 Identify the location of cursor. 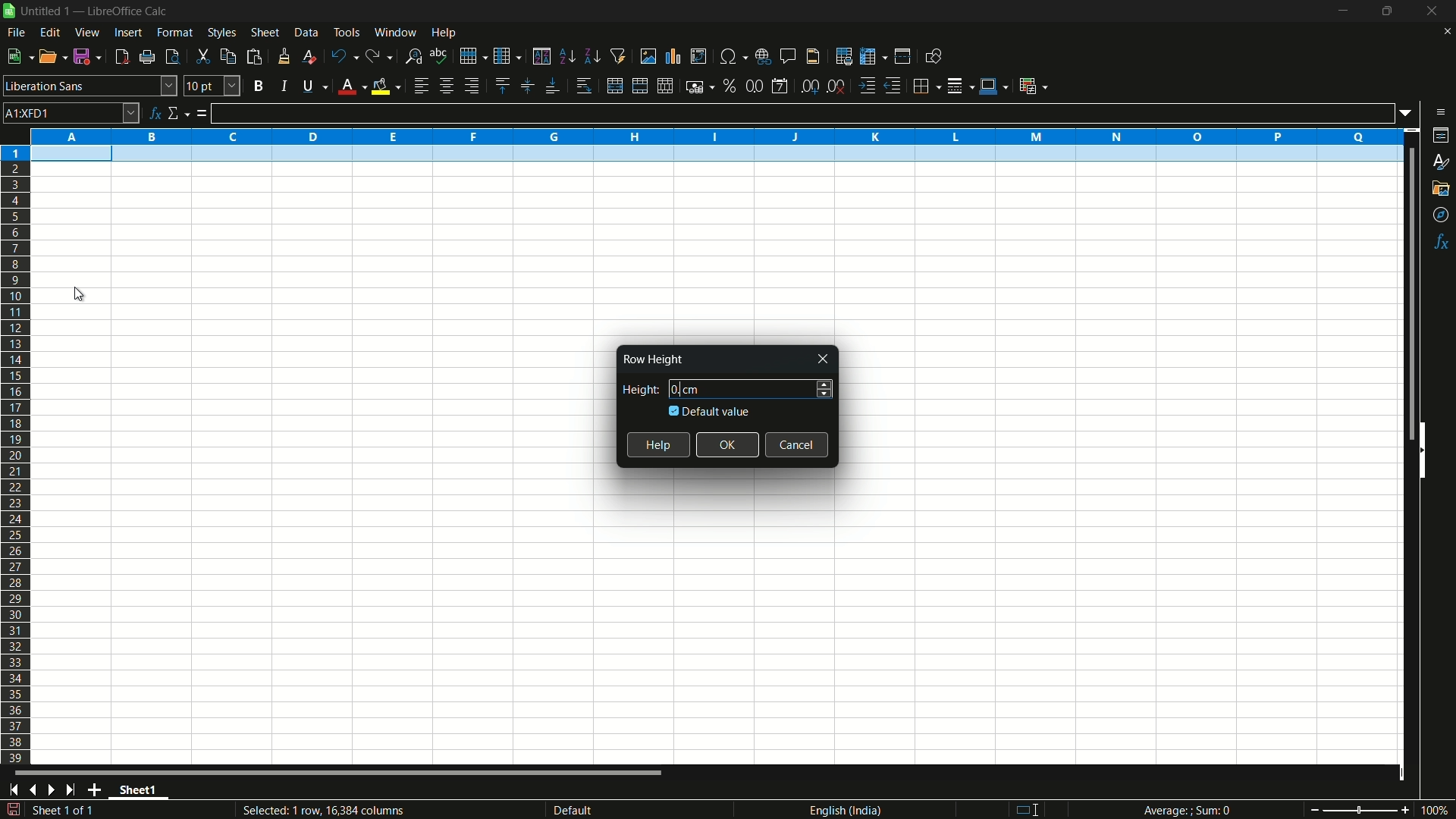
(85, 296).